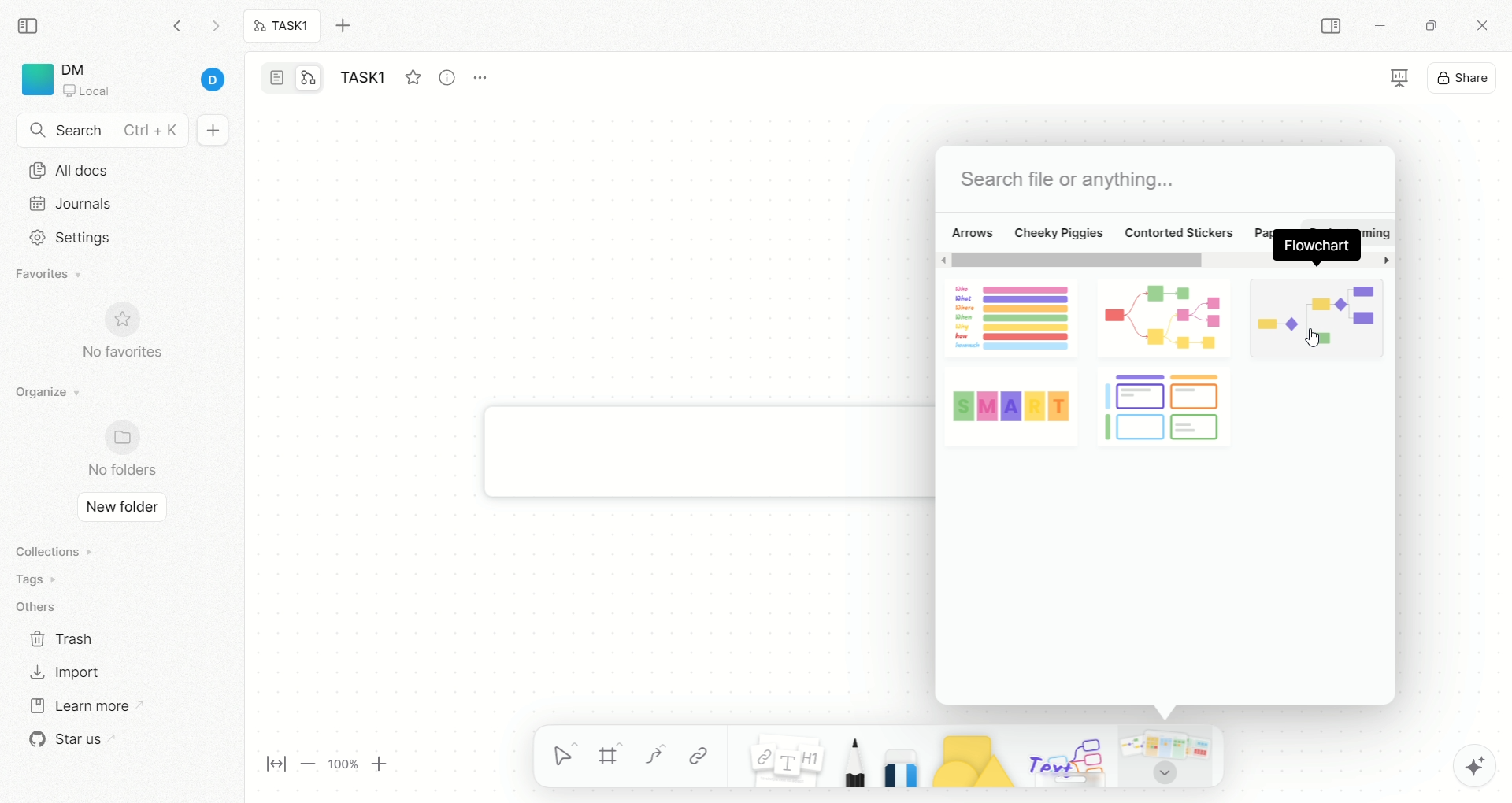  Describe the element at coordinates (31, 579) in the screenshot. I see `tags` at that location.